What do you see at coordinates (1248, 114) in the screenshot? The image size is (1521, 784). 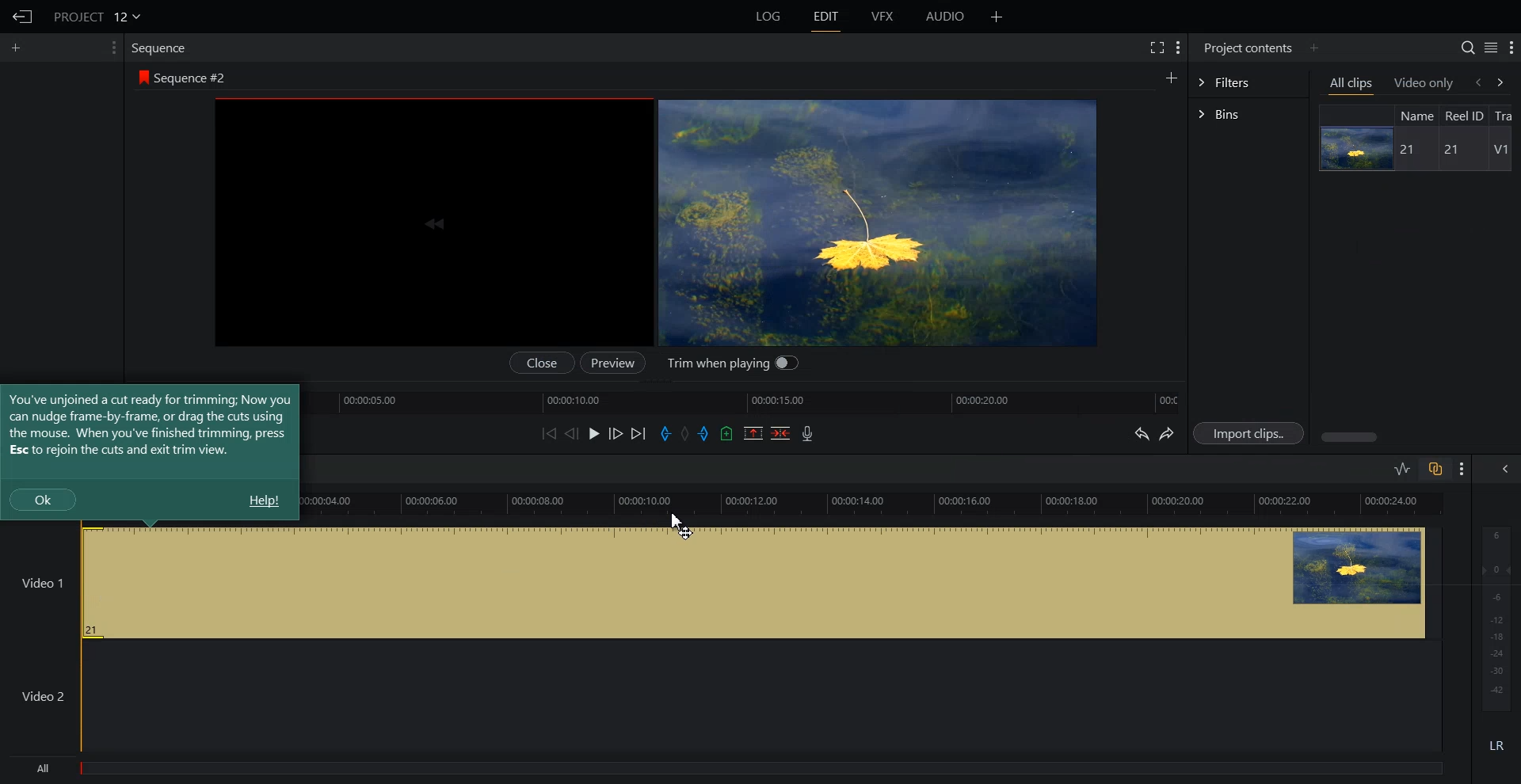 I see `Bins` at bounding box center [1248, 114].